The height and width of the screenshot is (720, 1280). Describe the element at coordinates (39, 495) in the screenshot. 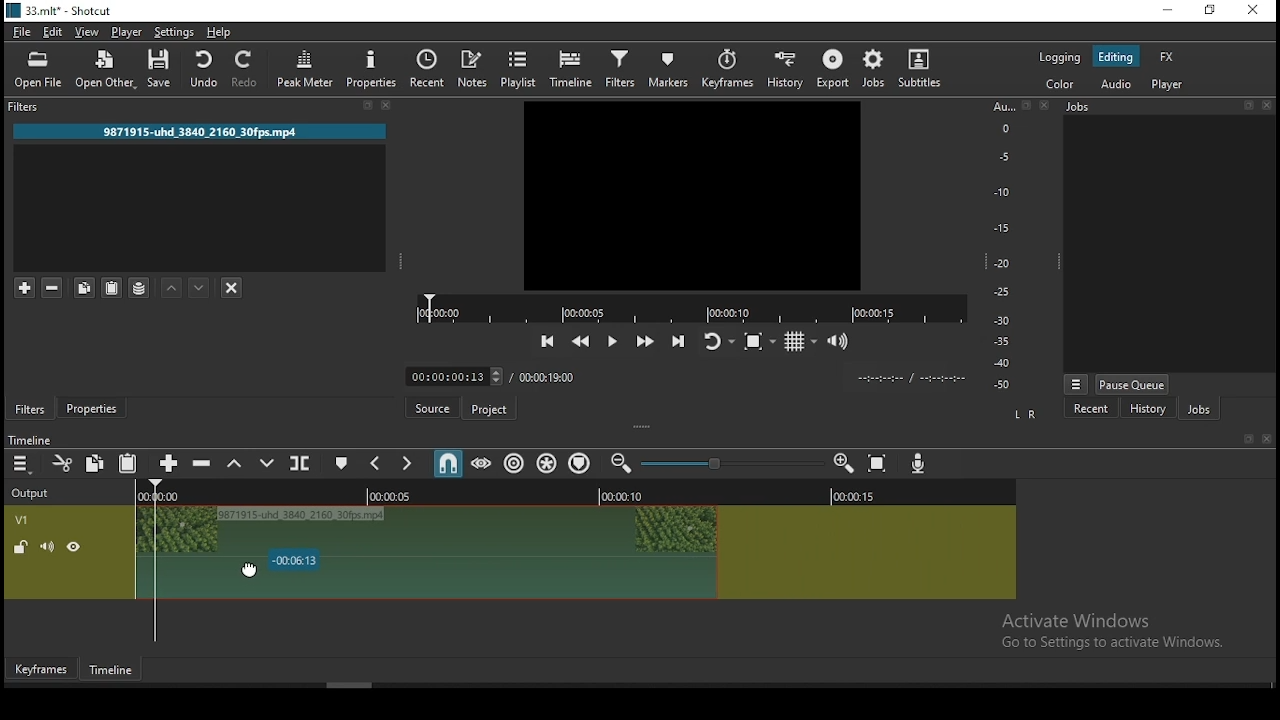

I see `output` at that location.